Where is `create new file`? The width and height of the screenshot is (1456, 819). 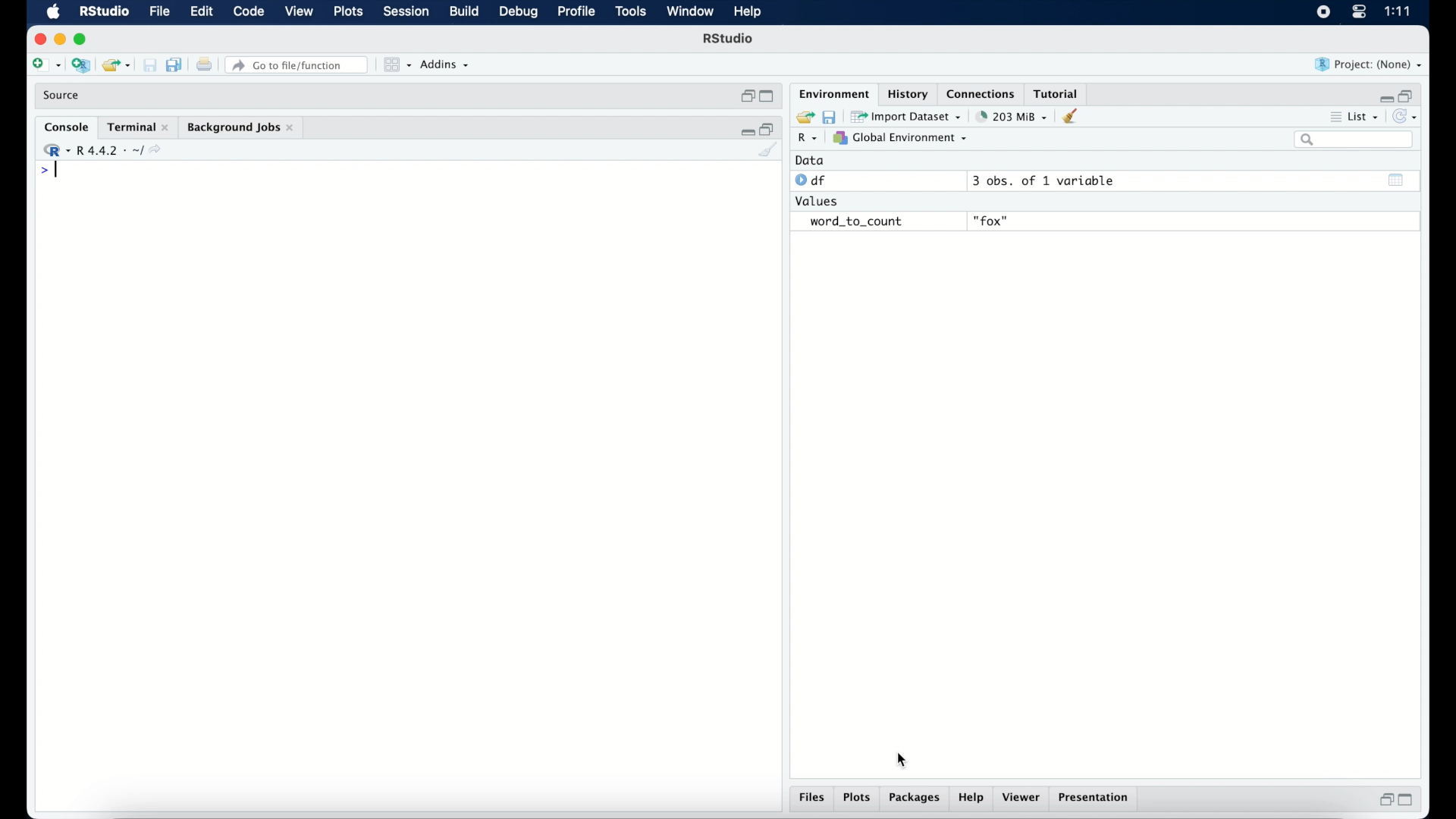
create new file is located at coordinates (45, 66).